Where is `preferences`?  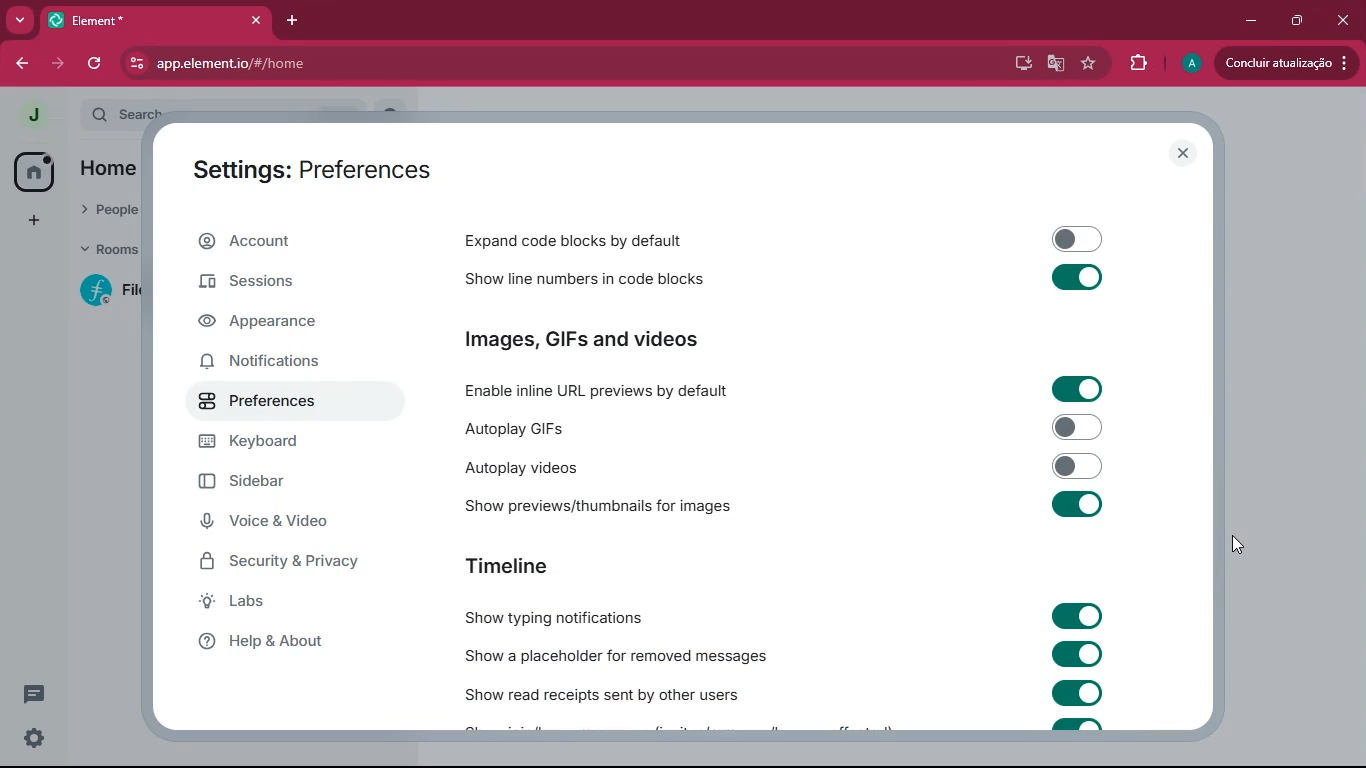 preferences is located at coordinates (277, 403).